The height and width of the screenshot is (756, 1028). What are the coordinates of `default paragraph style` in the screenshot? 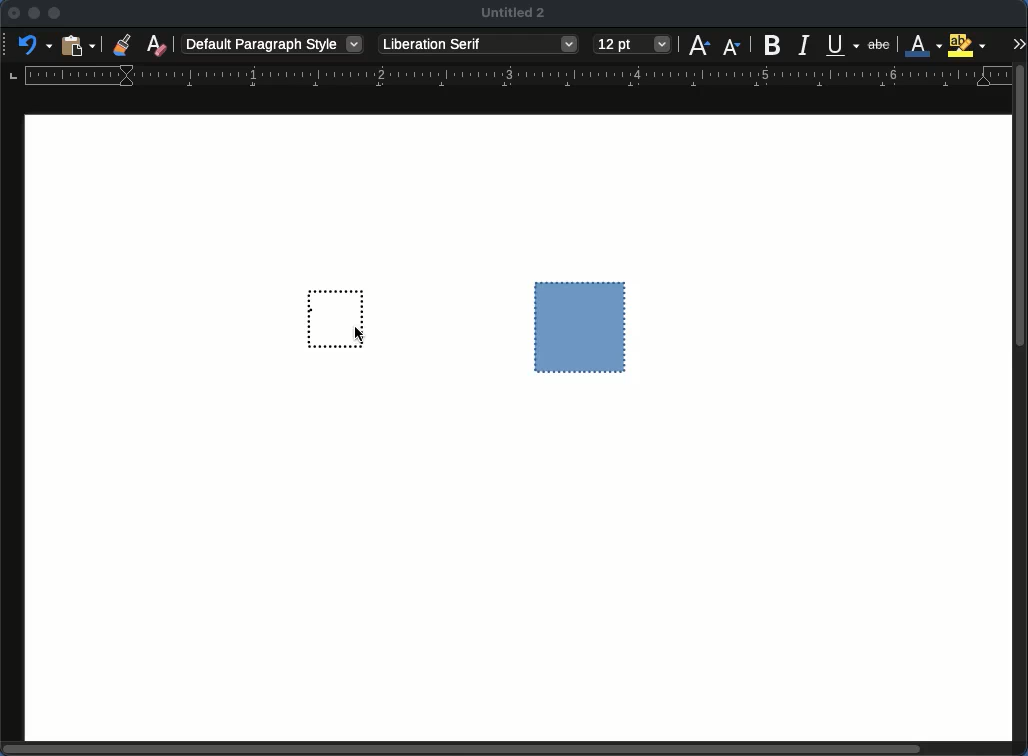 It's located at (275, 43).